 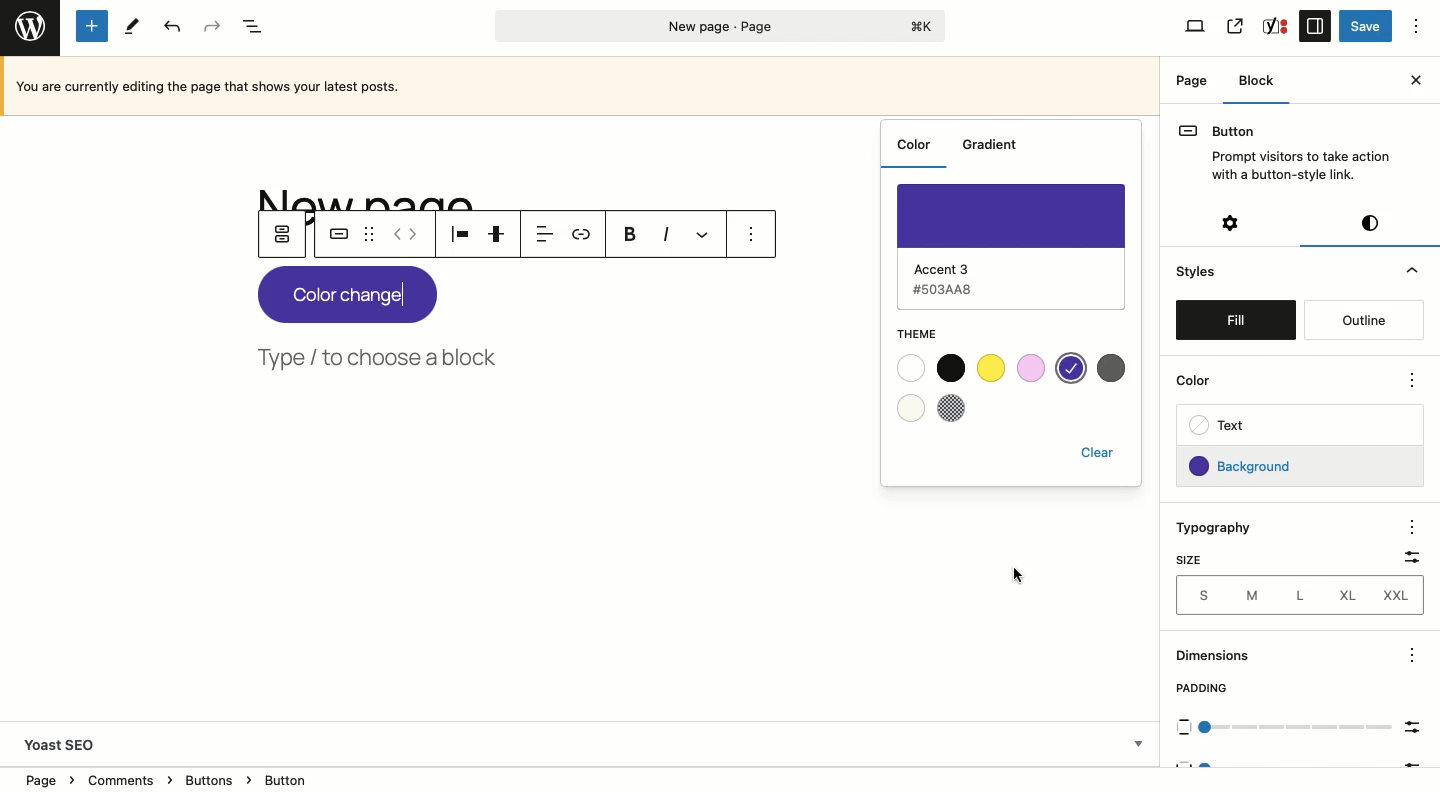 What do you see at coordinates (951, 408) in the screenshot?
I see `Checkered` at bounding box center [951, 408].